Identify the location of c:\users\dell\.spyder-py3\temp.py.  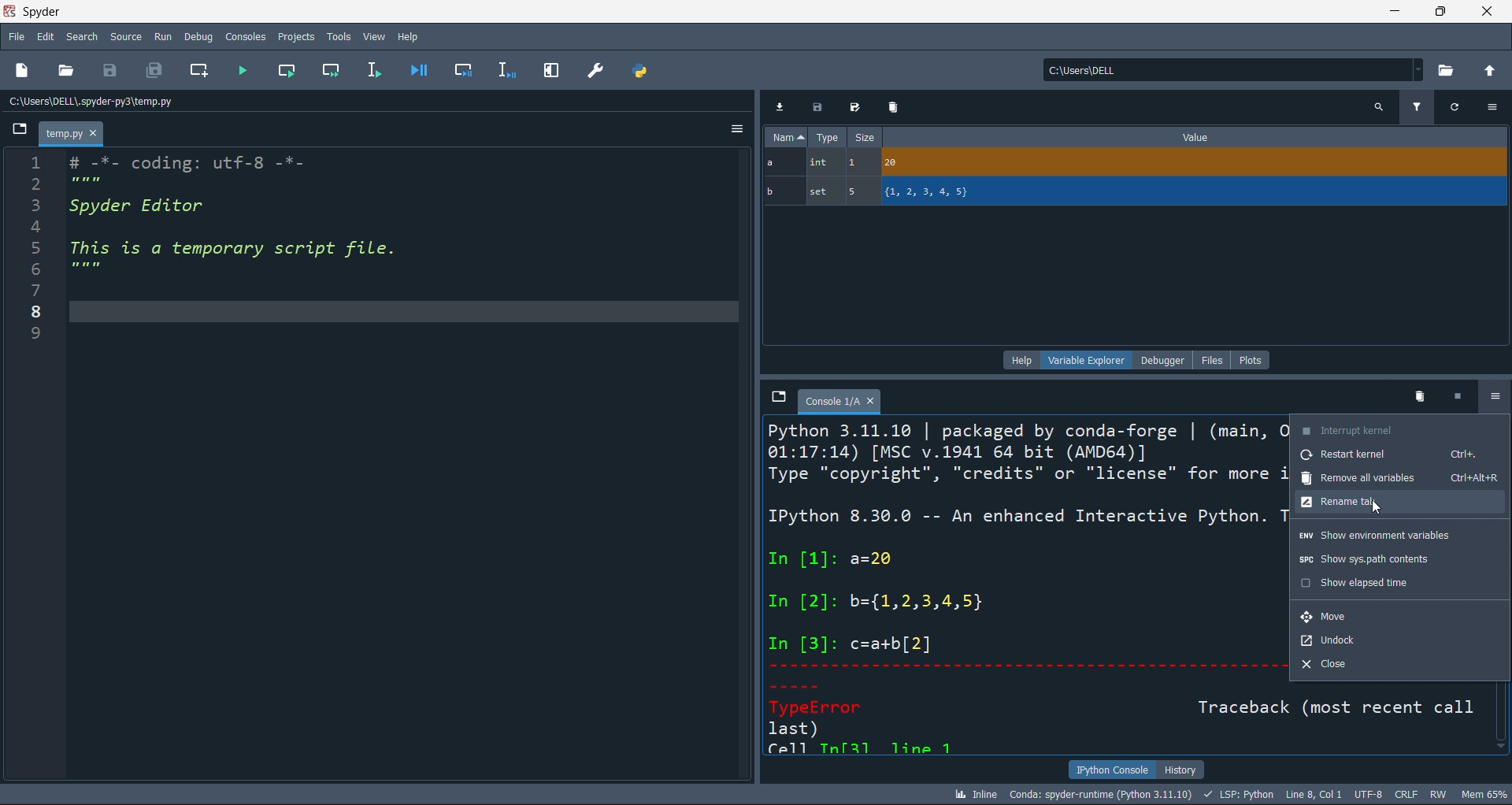
(135, 102).